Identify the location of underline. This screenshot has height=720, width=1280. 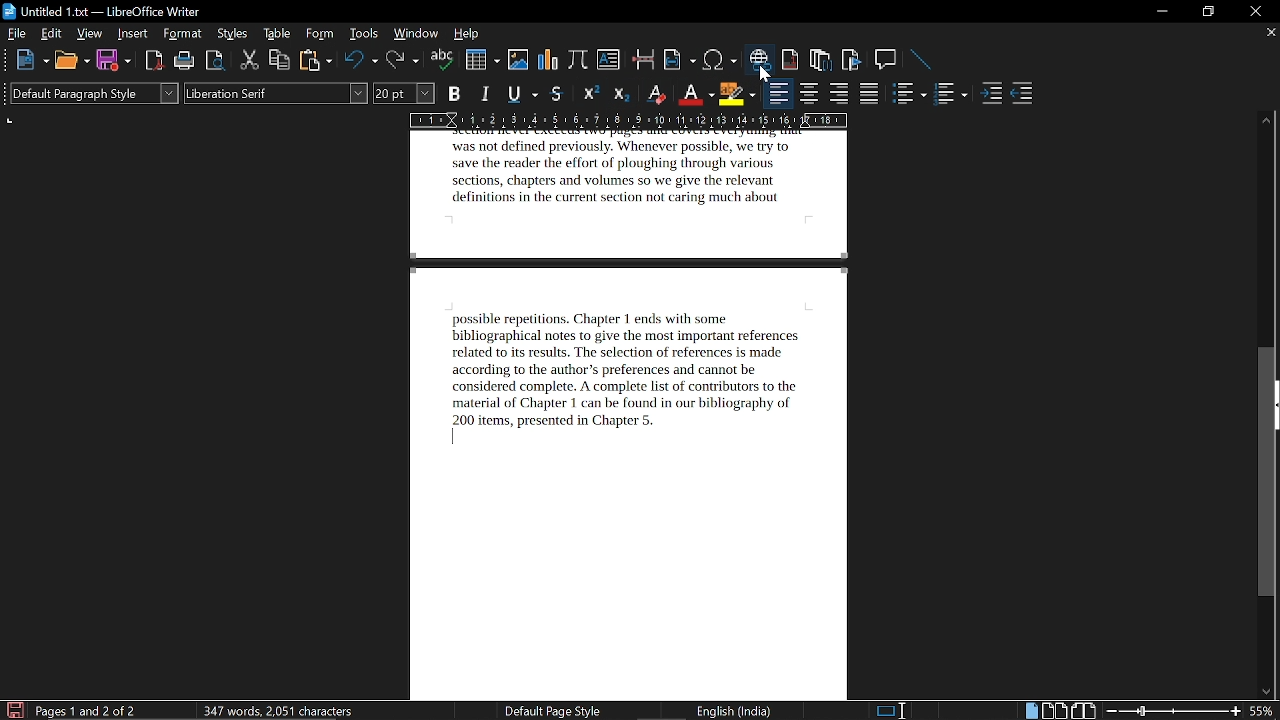
(522, 93).